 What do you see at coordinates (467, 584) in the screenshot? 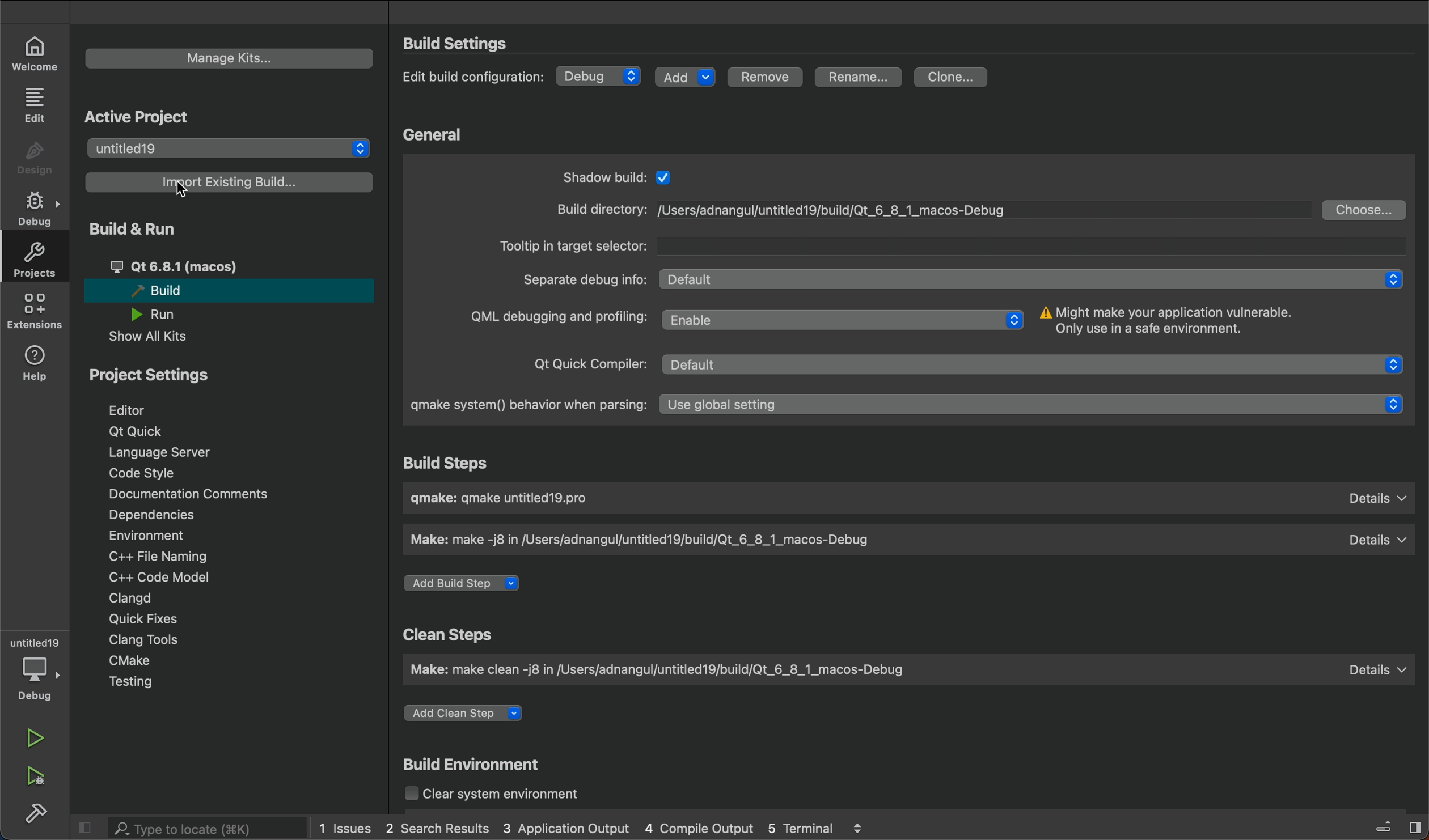
I see `add build step` at bounding box center [467, 584].